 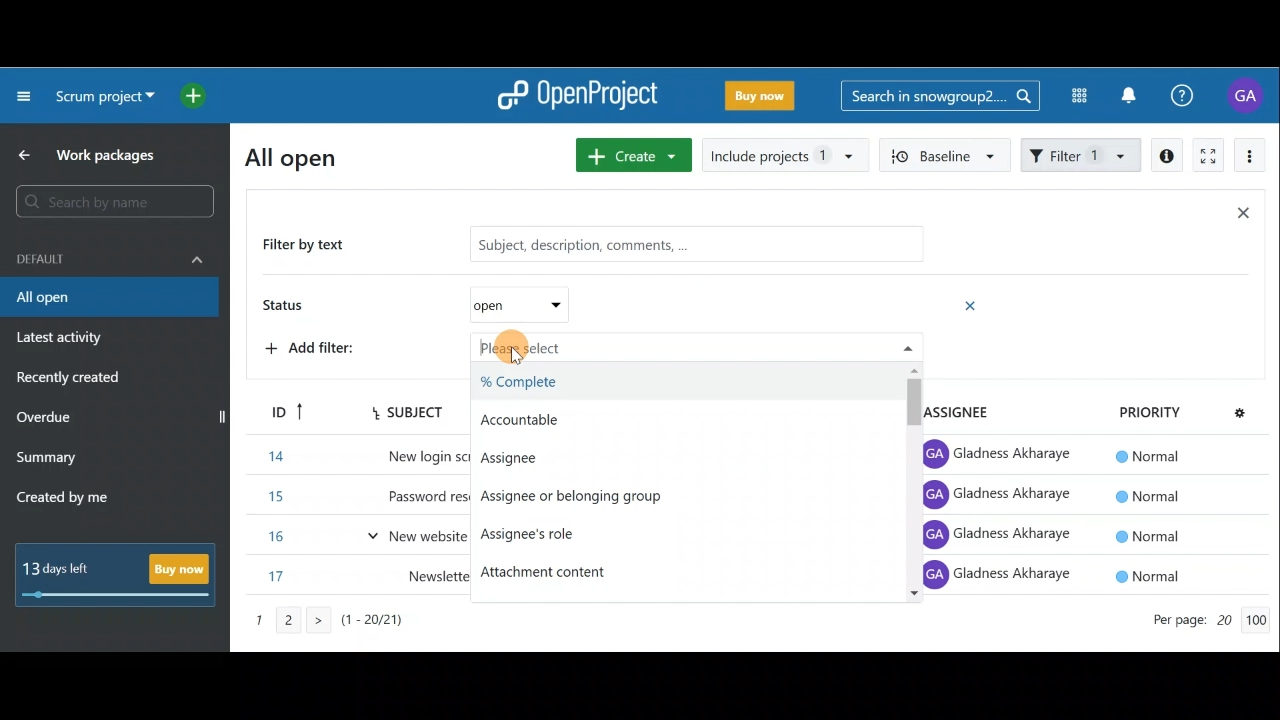 What do you see at coordinates (71, 380) in the screenshot?
I see `Recently created` at bounding box center [71, 380].